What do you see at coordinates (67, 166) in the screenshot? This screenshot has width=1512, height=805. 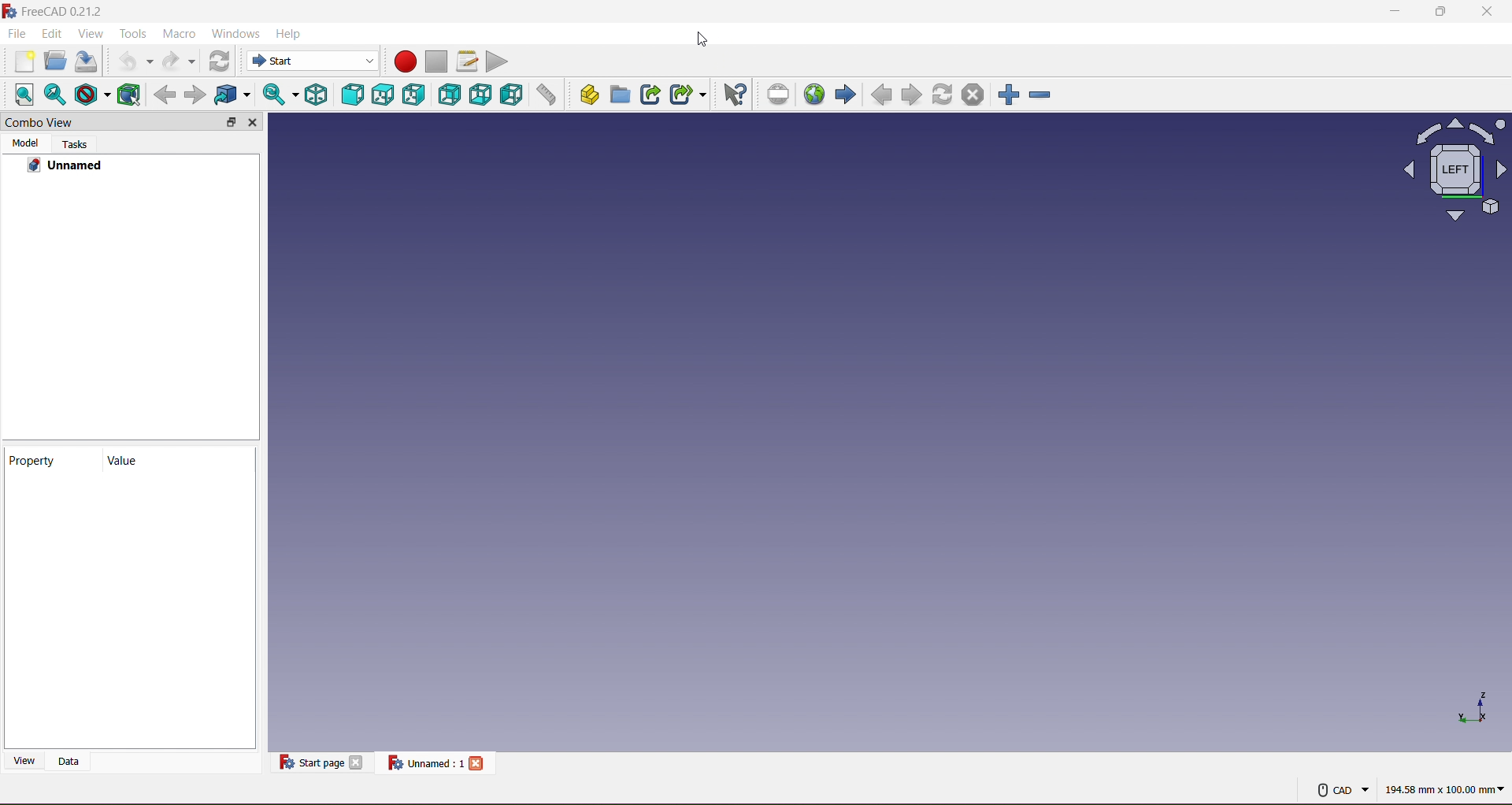 I see `Unnamed` at bounding box center [67, 166].